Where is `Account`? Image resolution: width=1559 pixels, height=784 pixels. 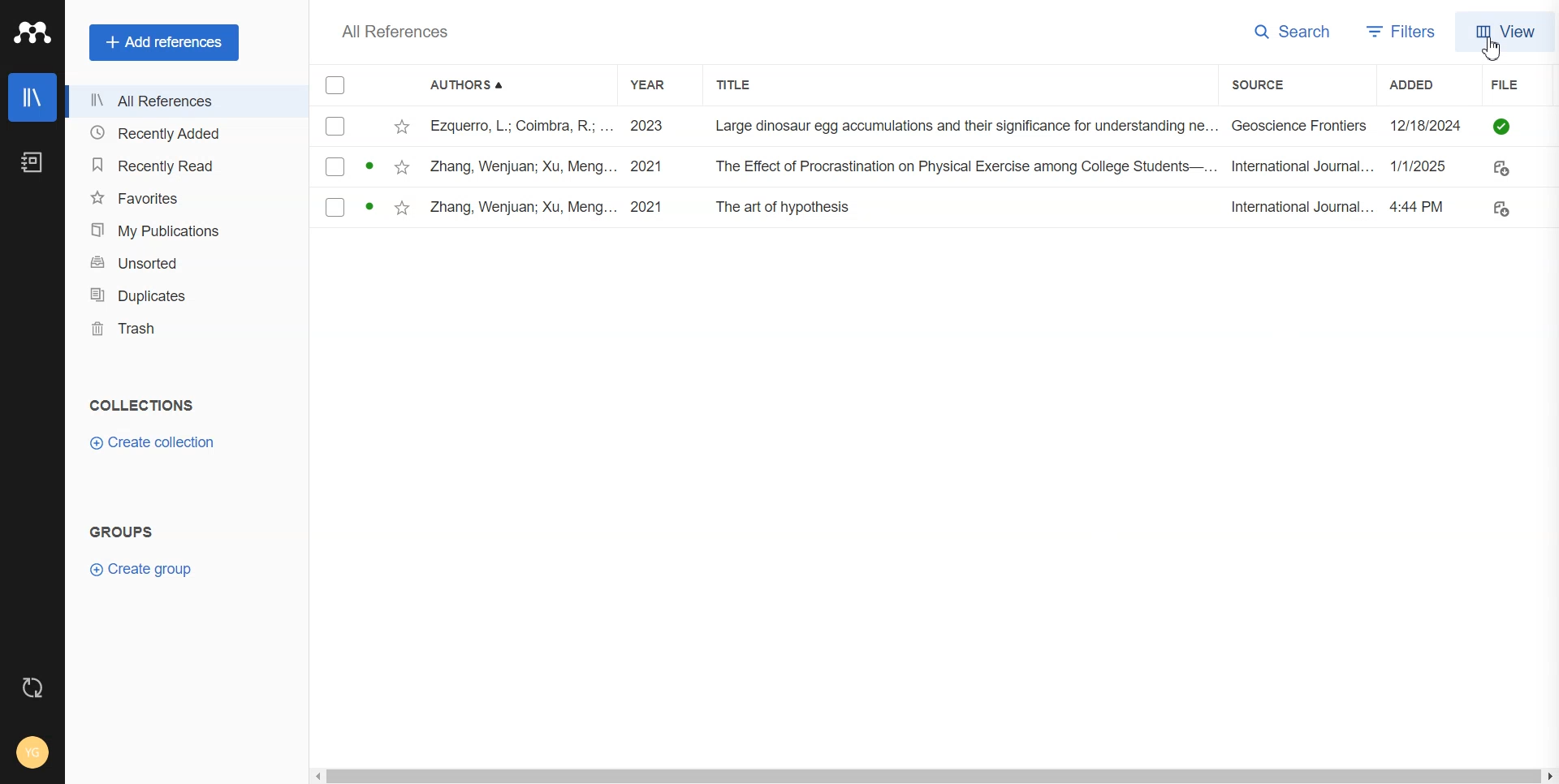 Account is located at coordinates (33, 752).